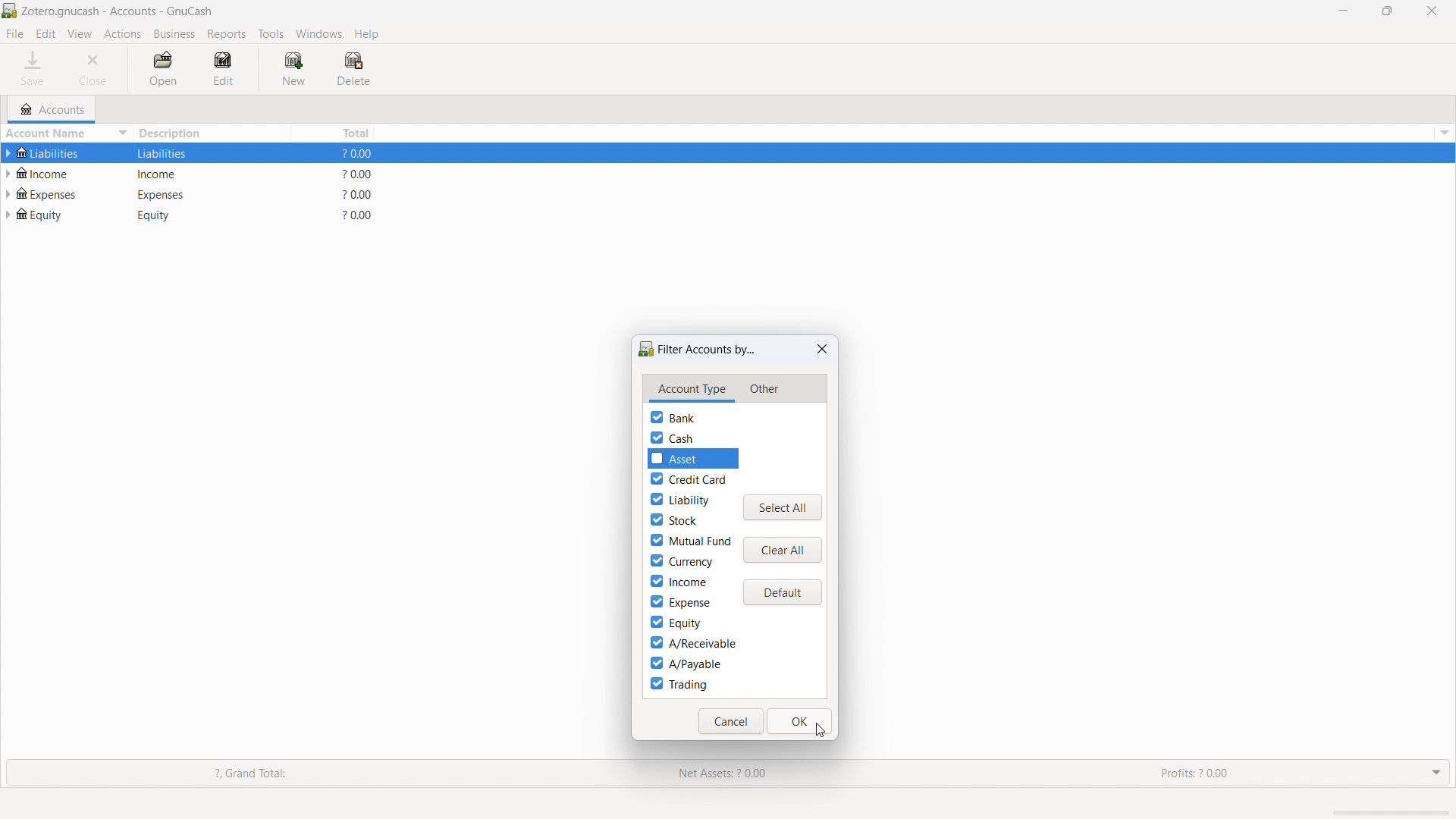 This screenshot has width=1456, height=819. What do you see at coordinates (692, 643) in the screenshot?
I see `A/receivable` at bounding box center [692, 643].